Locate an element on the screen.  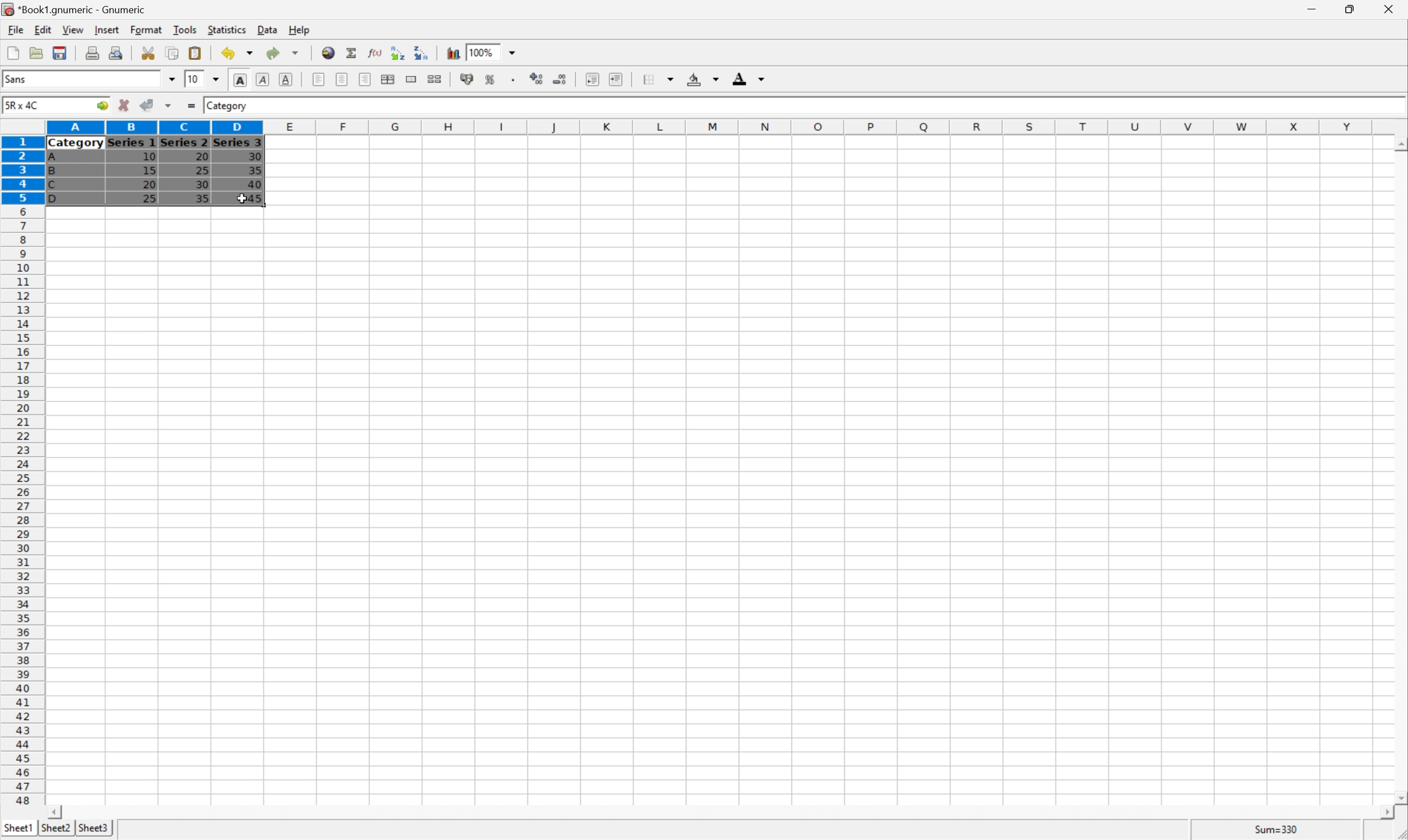
Set the format of the selected cells to include a thousands separator is located at coordinates (515, 81).